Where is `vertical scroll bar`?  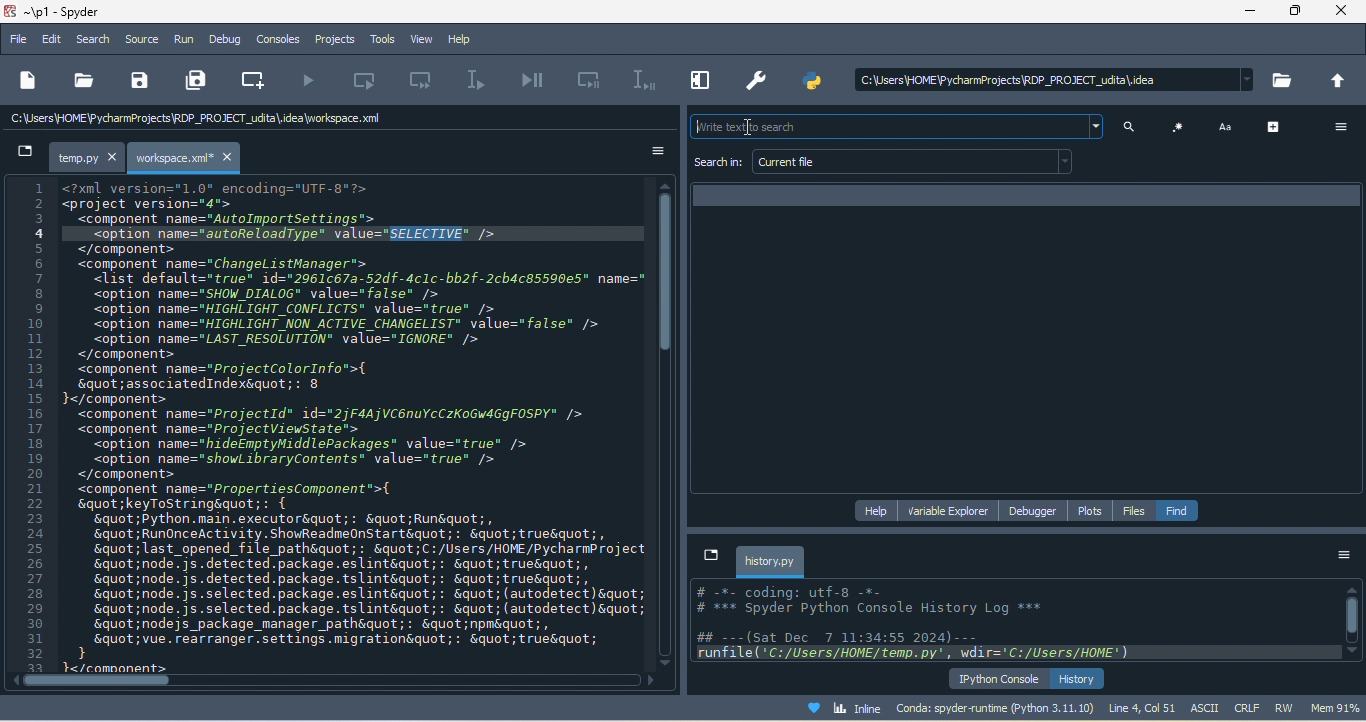
vertical scroll bar is located at coordinates (1351, 621).